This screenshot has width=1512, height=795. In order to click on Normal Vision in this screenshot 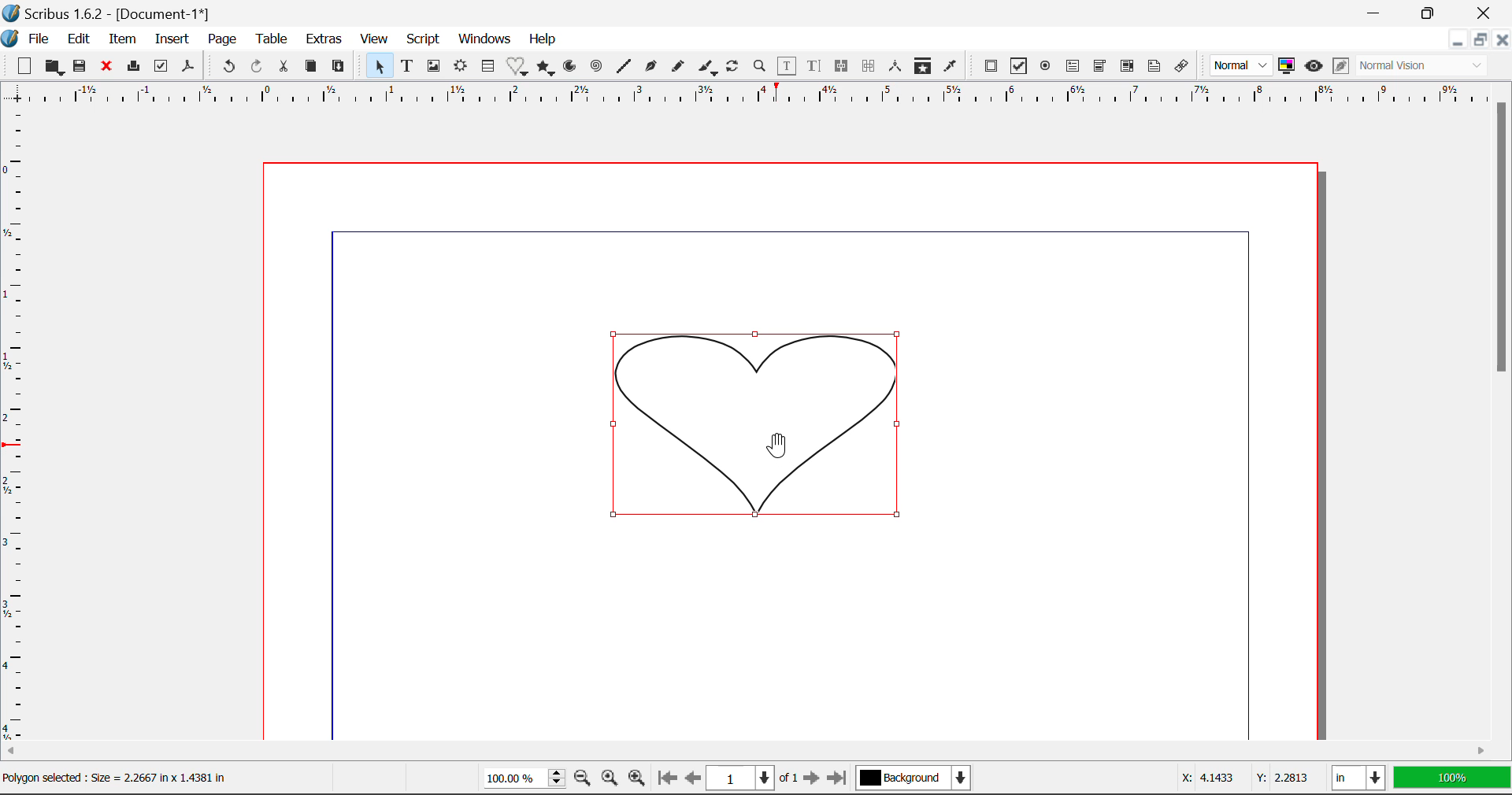, I will do `click(1424, 67)`.